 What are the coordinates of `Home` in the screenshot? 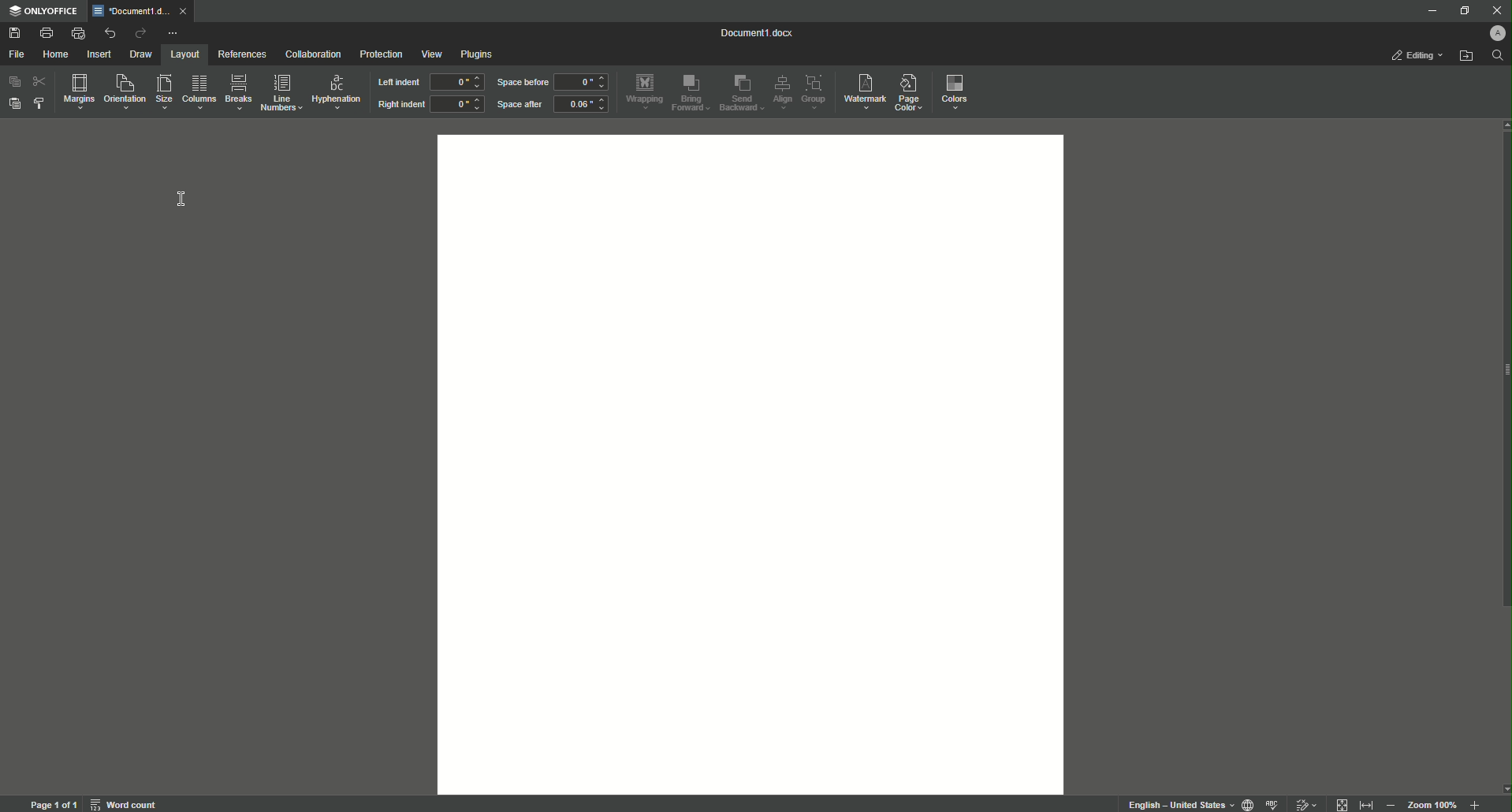 It's located at (58, 55).